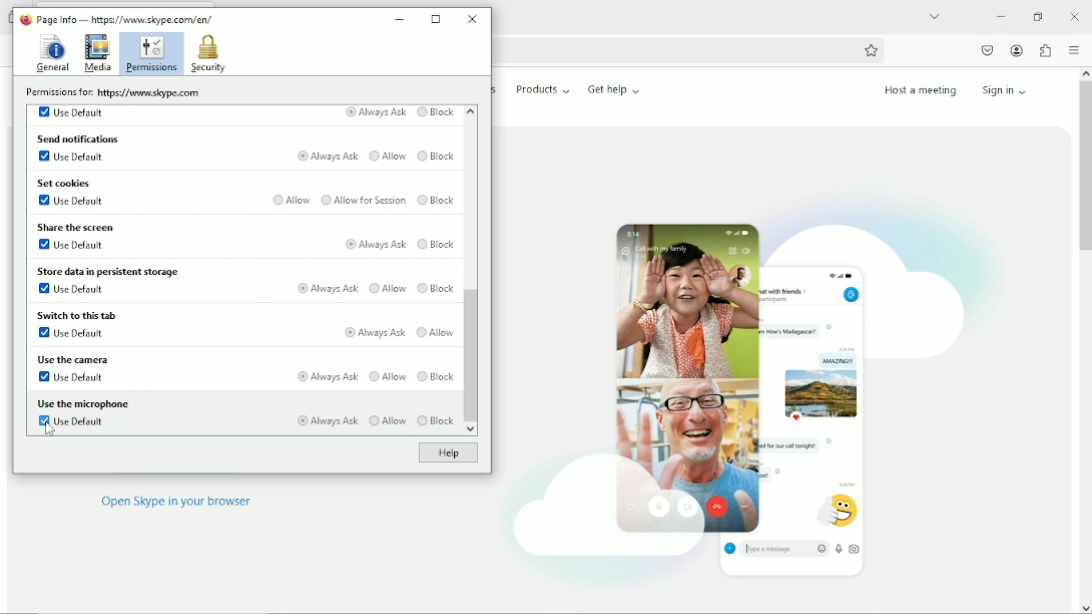 The image size is (1092, 614). I want to click on Sign in, so click(1008, 89).